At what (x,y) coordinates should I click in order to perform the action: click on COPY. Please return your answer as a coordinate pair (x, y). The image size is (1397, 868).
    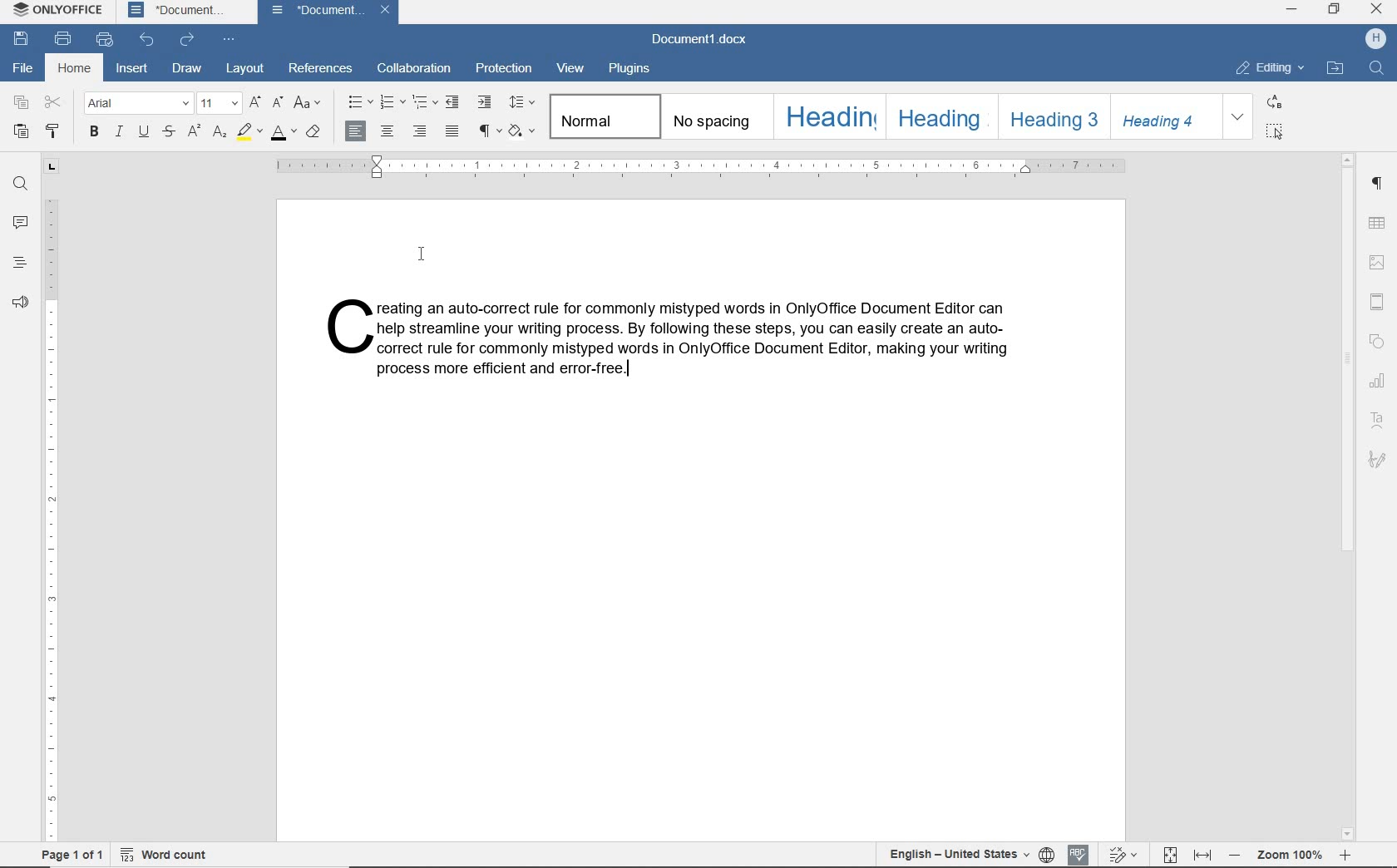
    Looking at the image, I should click on (22, 102).